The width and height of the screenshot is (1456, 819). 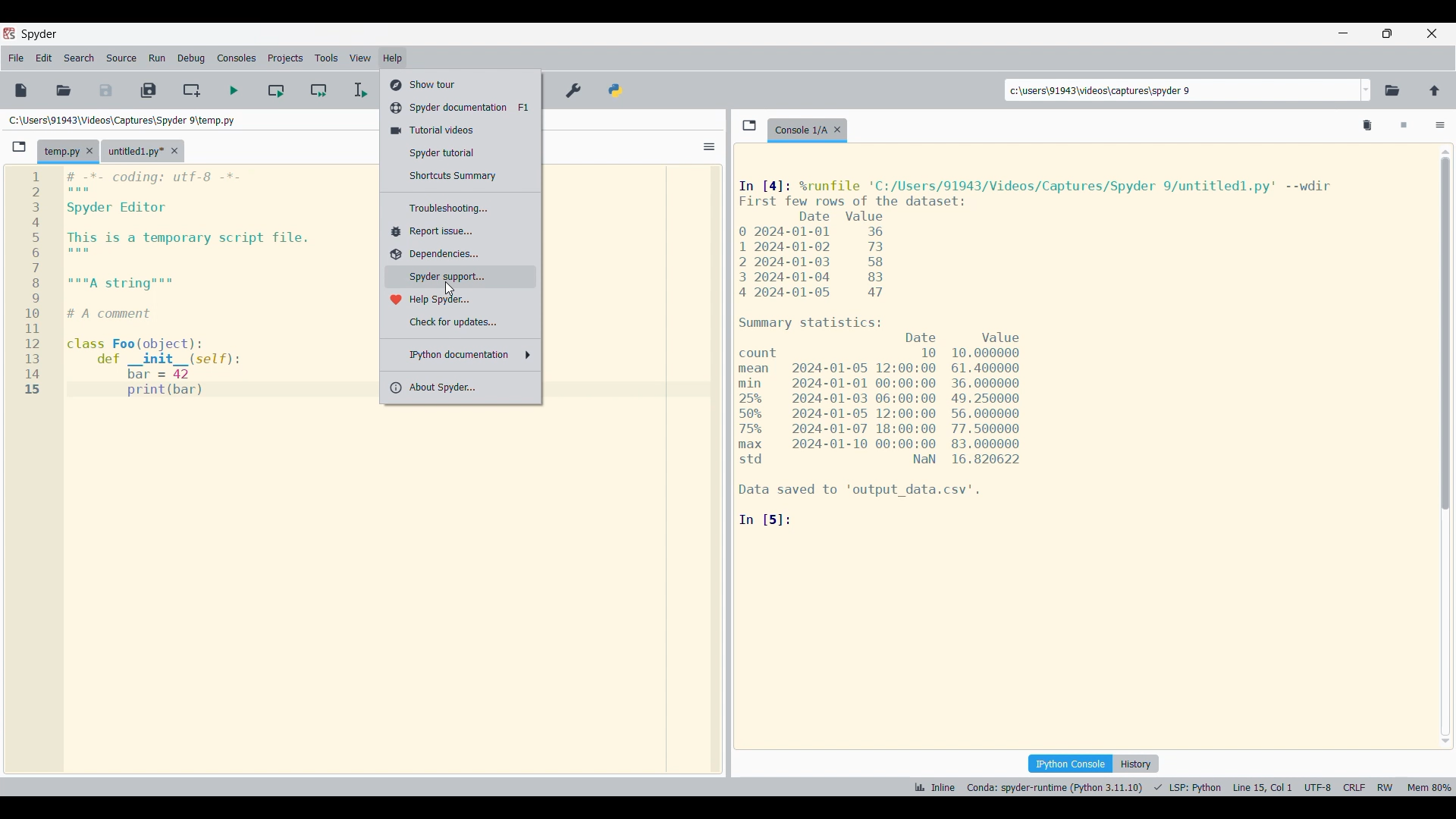 I want to click on File menu, so click(x=17, y=58).